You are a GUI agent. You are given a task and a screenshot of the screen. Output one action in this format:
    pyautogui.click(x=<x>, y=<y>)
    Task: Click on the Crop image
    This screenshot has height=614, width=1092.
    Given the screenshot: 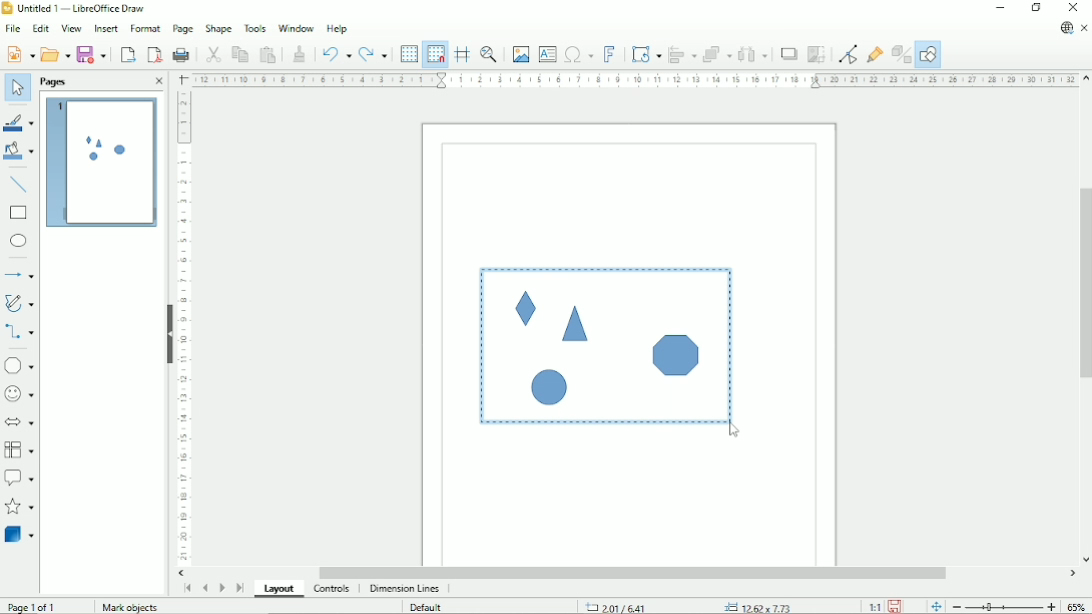 What is the action you would take?
    pyautogui.click(x=815, y=55)
    